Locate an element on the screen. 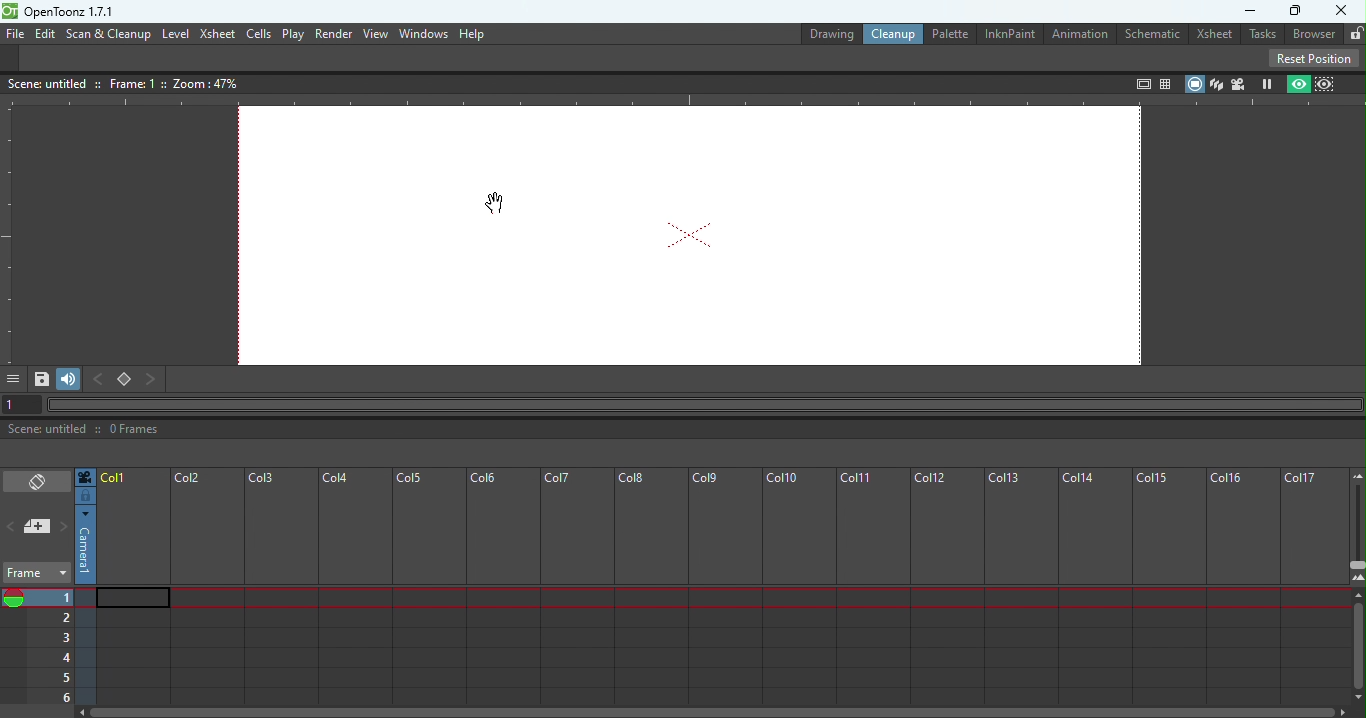 This screenshot has width=1366, height=718. Click to select camera is located at coordinates (86, 473).